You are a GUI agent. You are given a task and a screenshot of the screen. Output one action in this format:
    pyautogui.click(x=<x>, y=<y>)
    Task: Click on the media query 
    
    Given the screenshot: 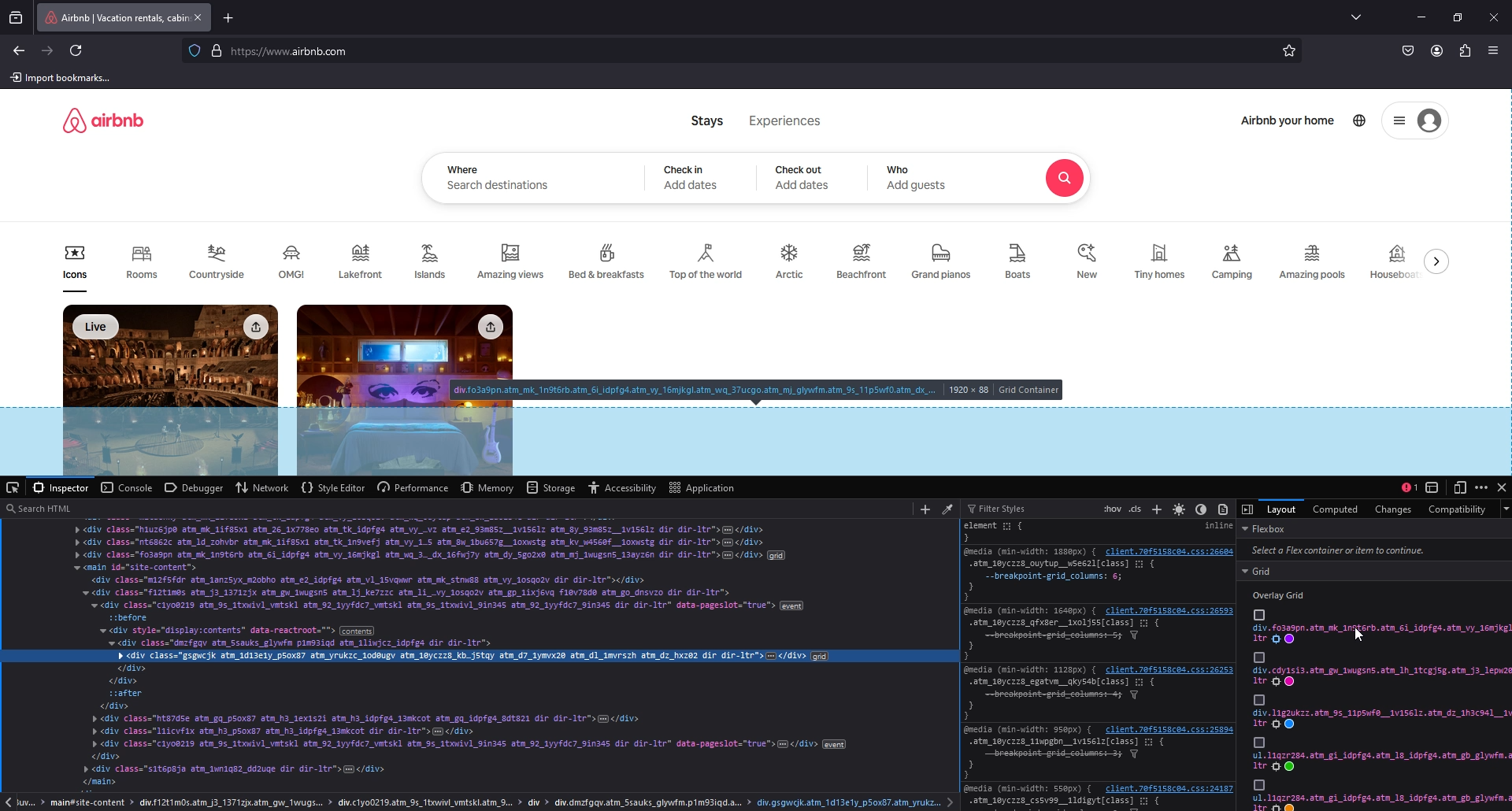 What is the action you would take?
    pyautogui.click(x=1027, y=551)
    